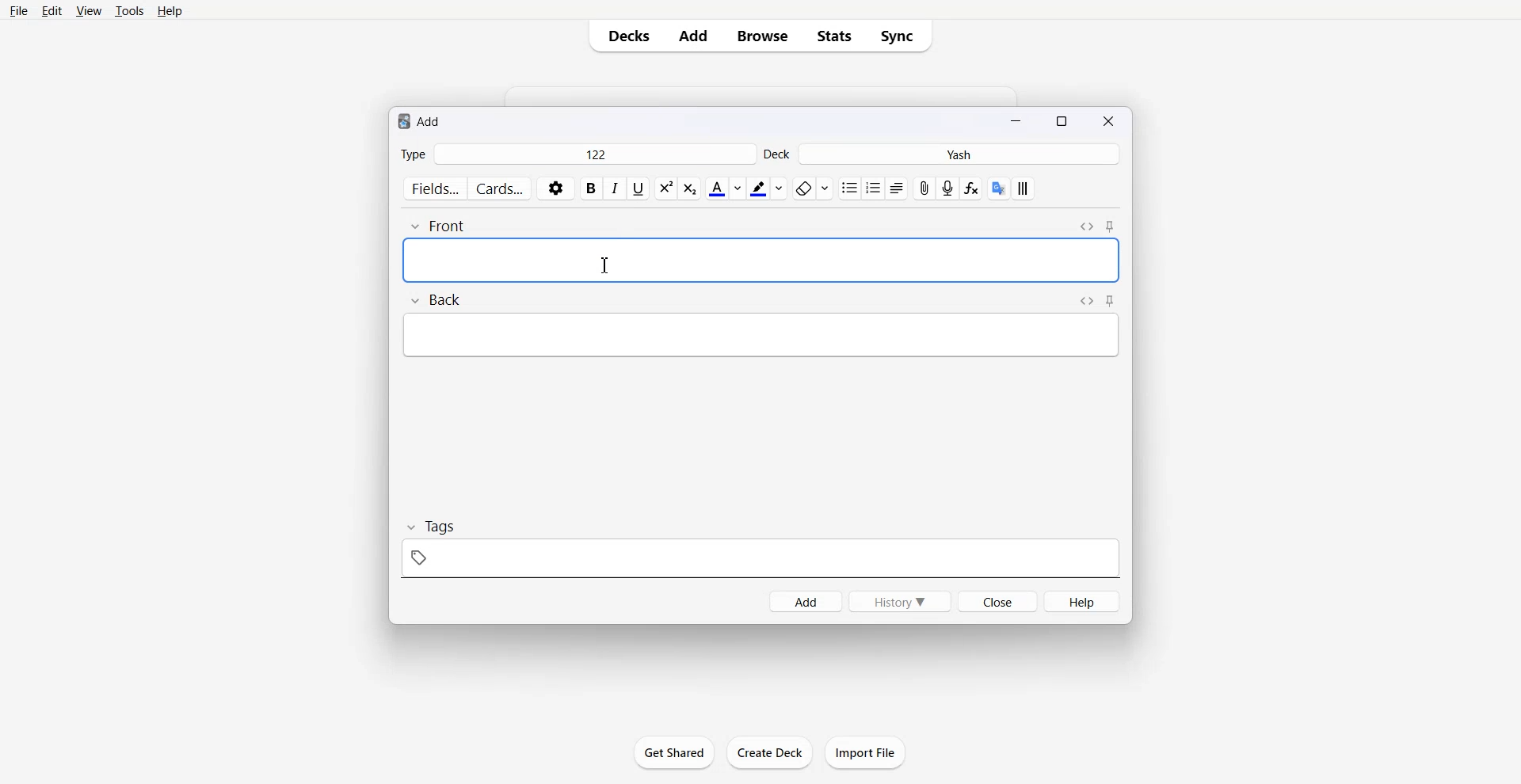  I want to click on Import File, so click(866, 752).